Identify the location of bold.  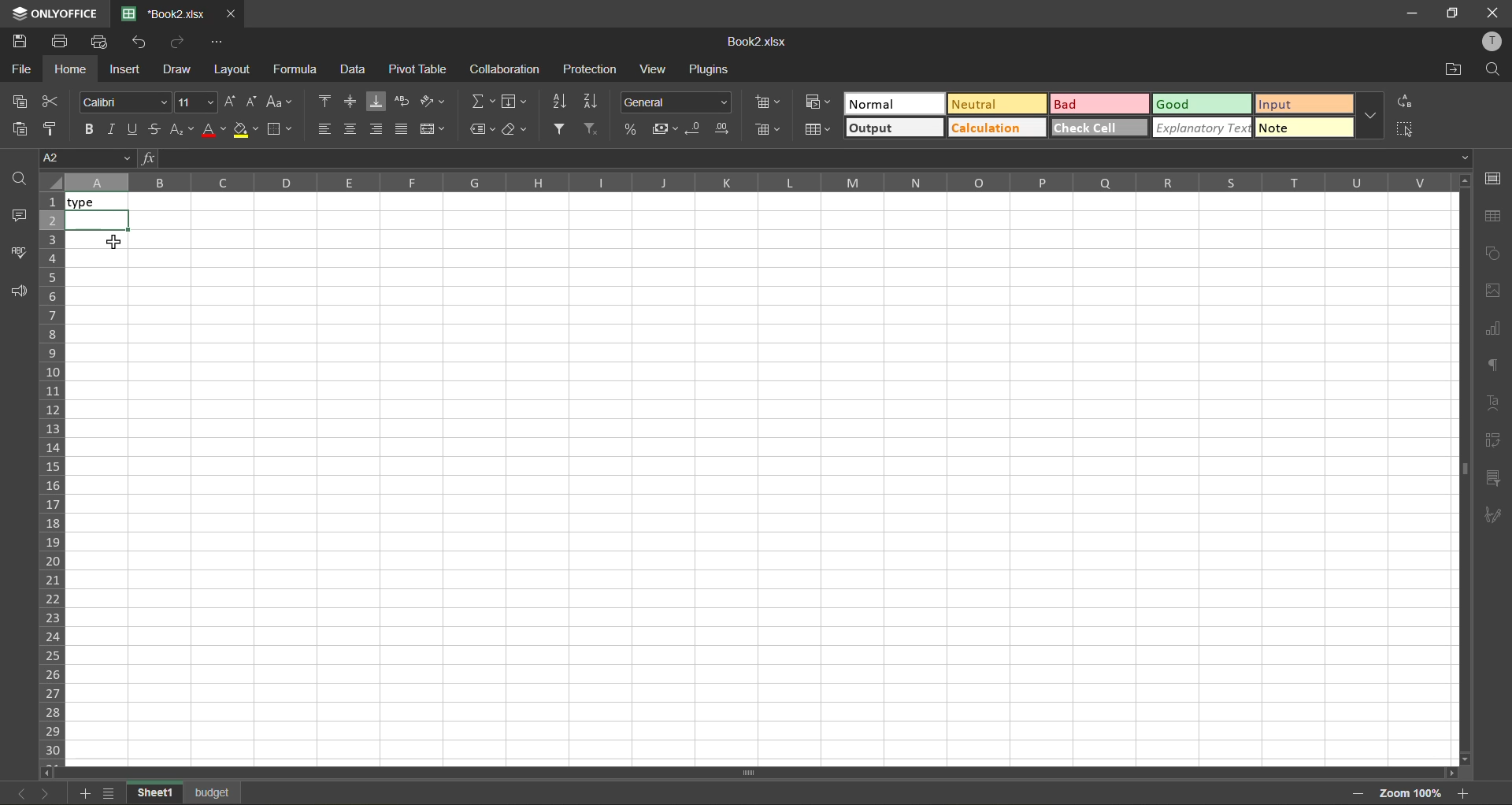
(86, 129).